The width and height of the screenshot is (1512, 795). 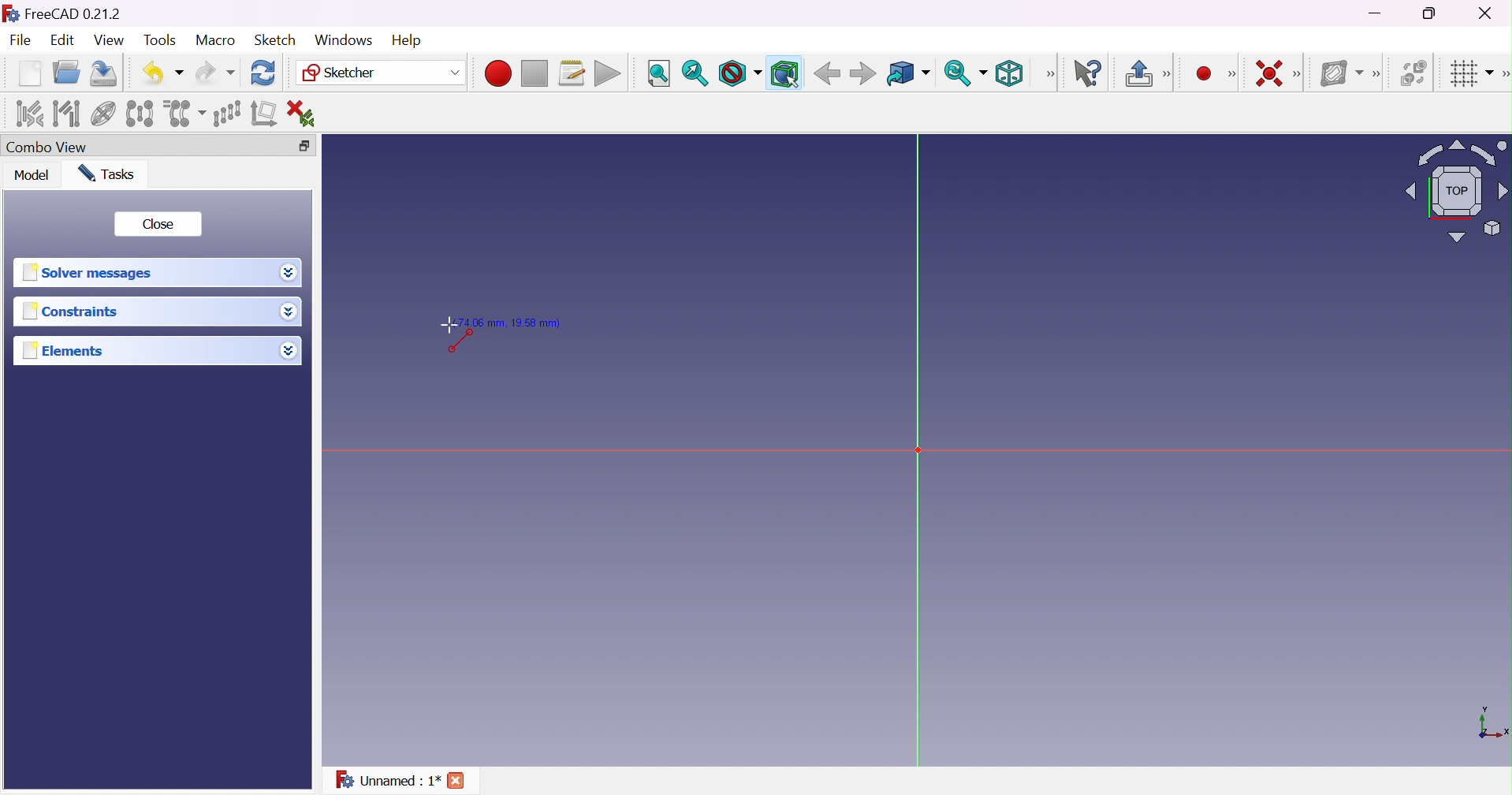 What do you see at coordinates (966, 73) in the screenshot?
I see `Sync view` at bounding box center [966, 73].